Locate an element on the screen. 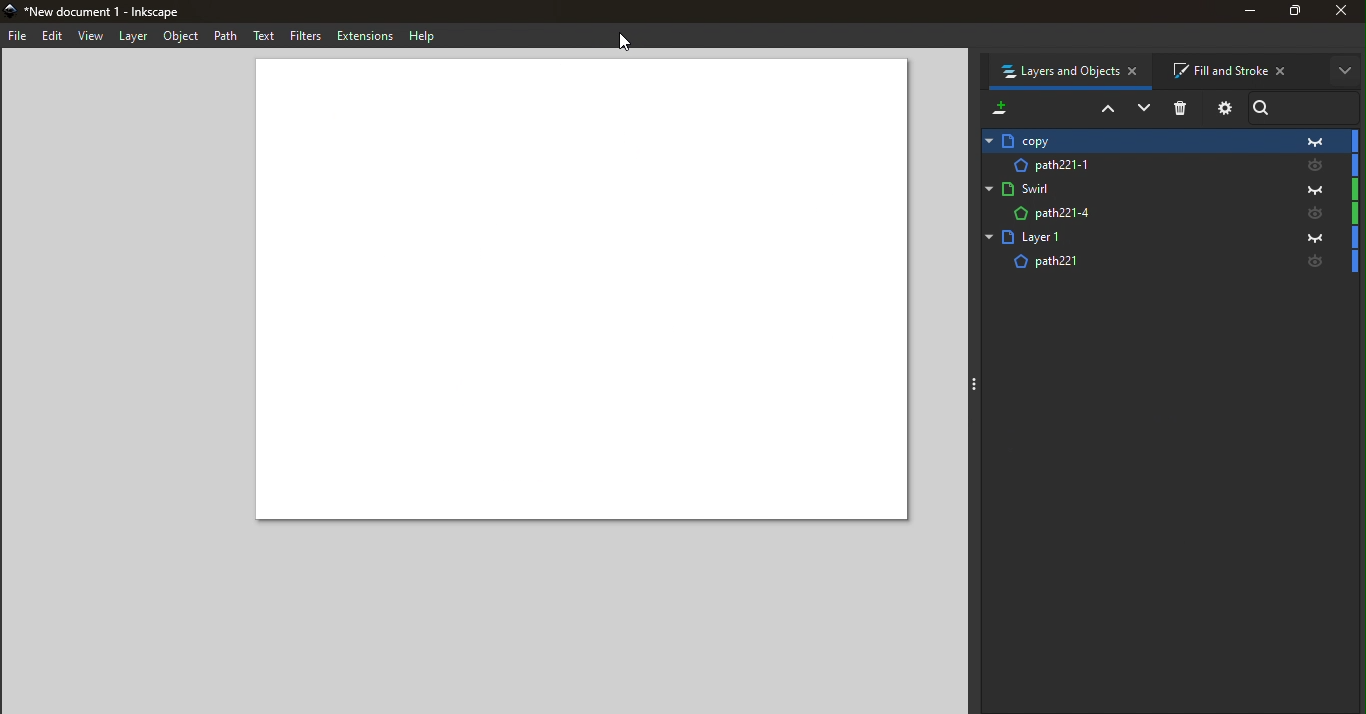 This screenshot has width=1366, height=714. Maximize is located at coordinates (1298, 14).